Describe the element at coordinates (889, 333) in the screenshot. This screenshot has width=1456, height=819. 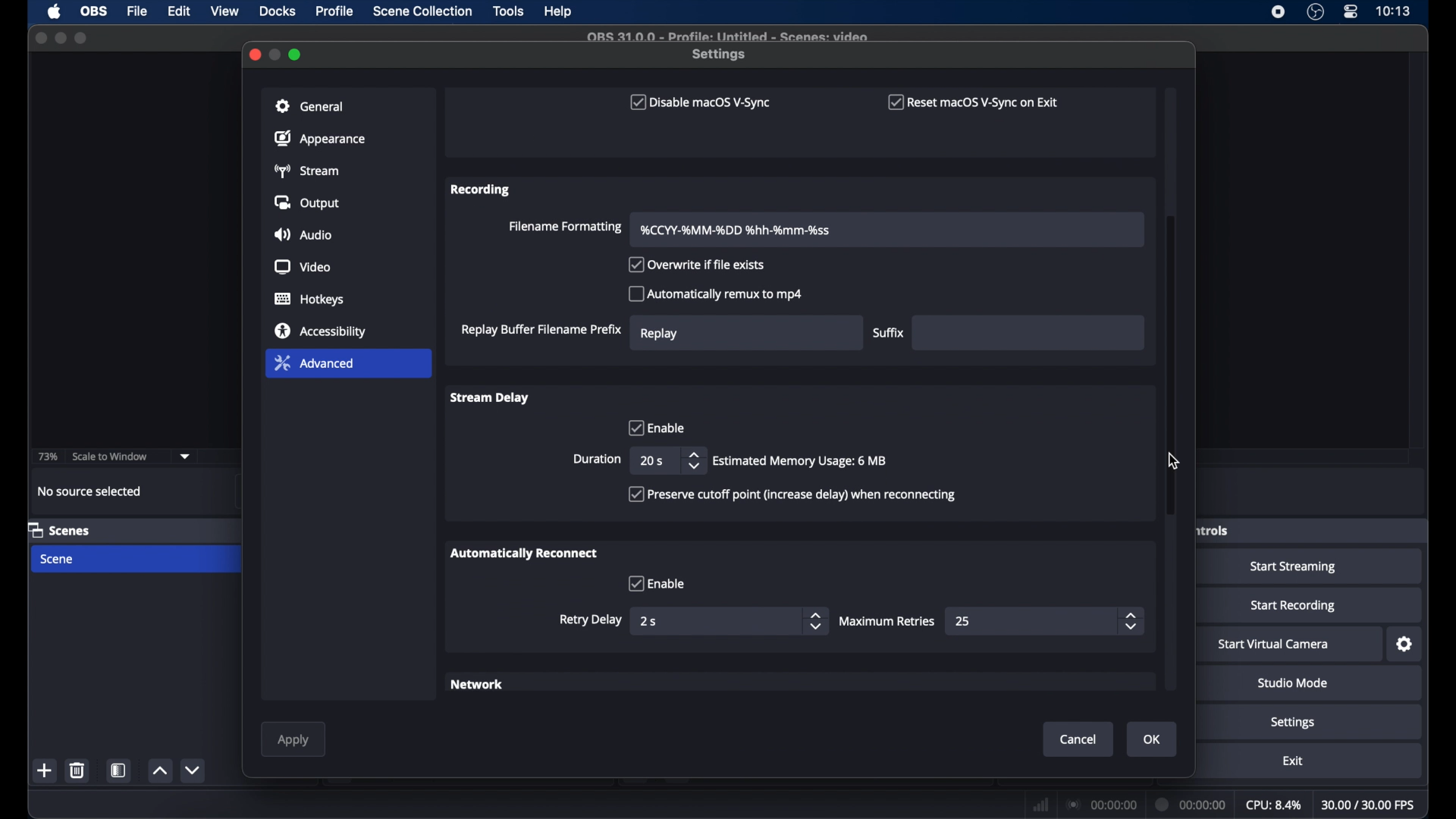
I see `suffix` at that location.